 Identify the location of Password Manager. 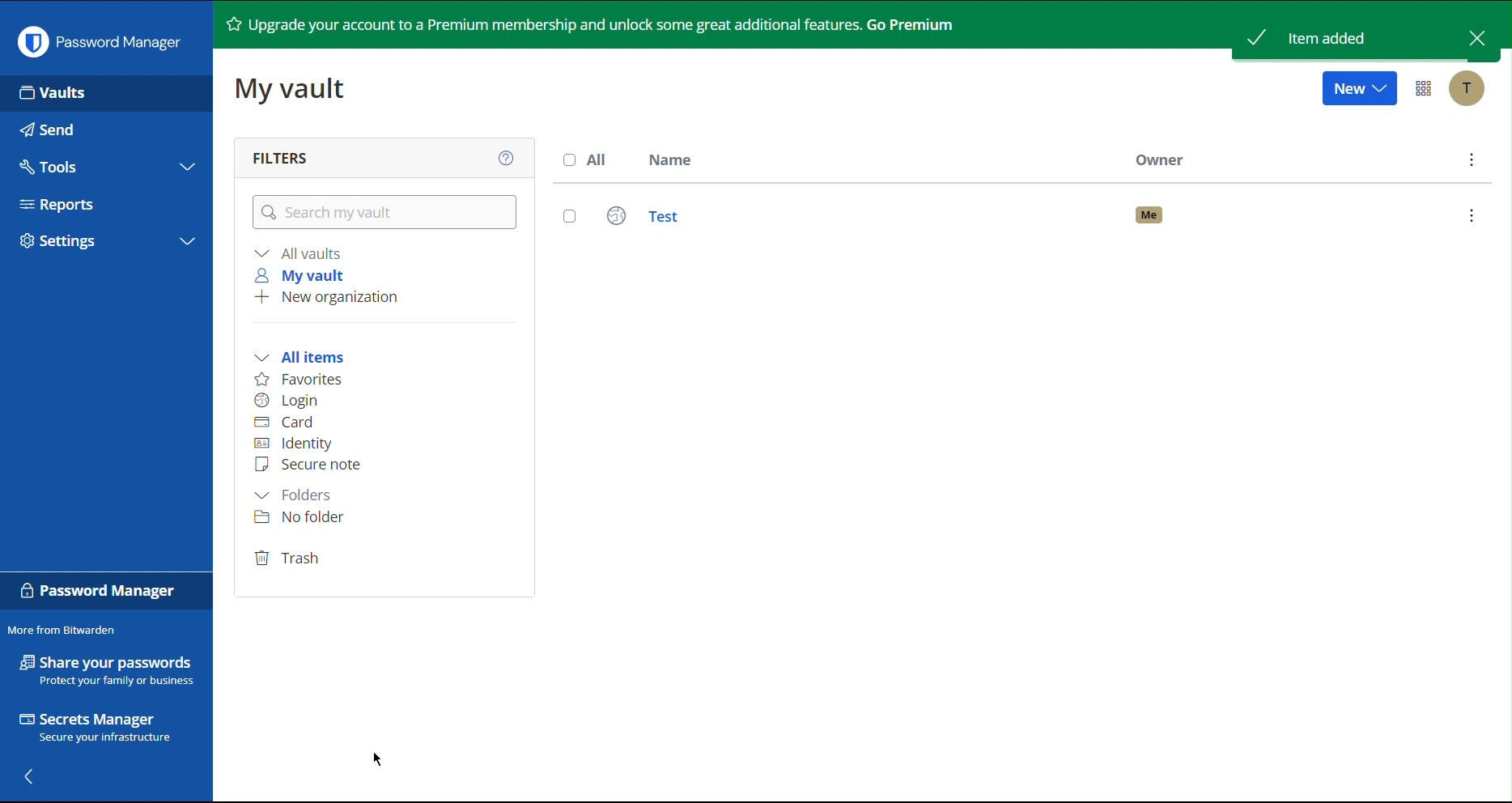
(104, 593).